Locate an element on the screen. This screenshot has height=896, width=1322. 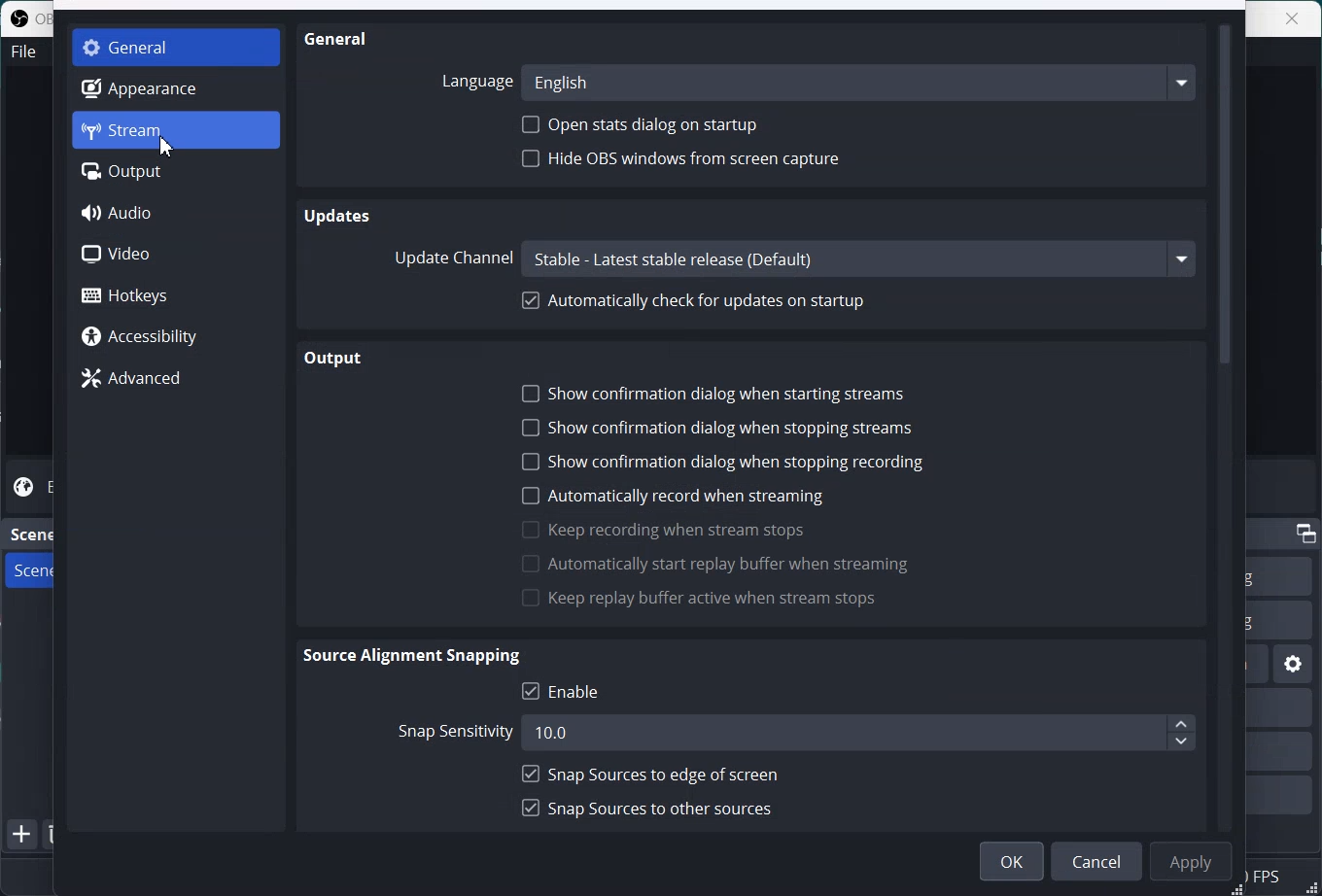
Automatically check for update on startup is located at coordinates (693, 302).